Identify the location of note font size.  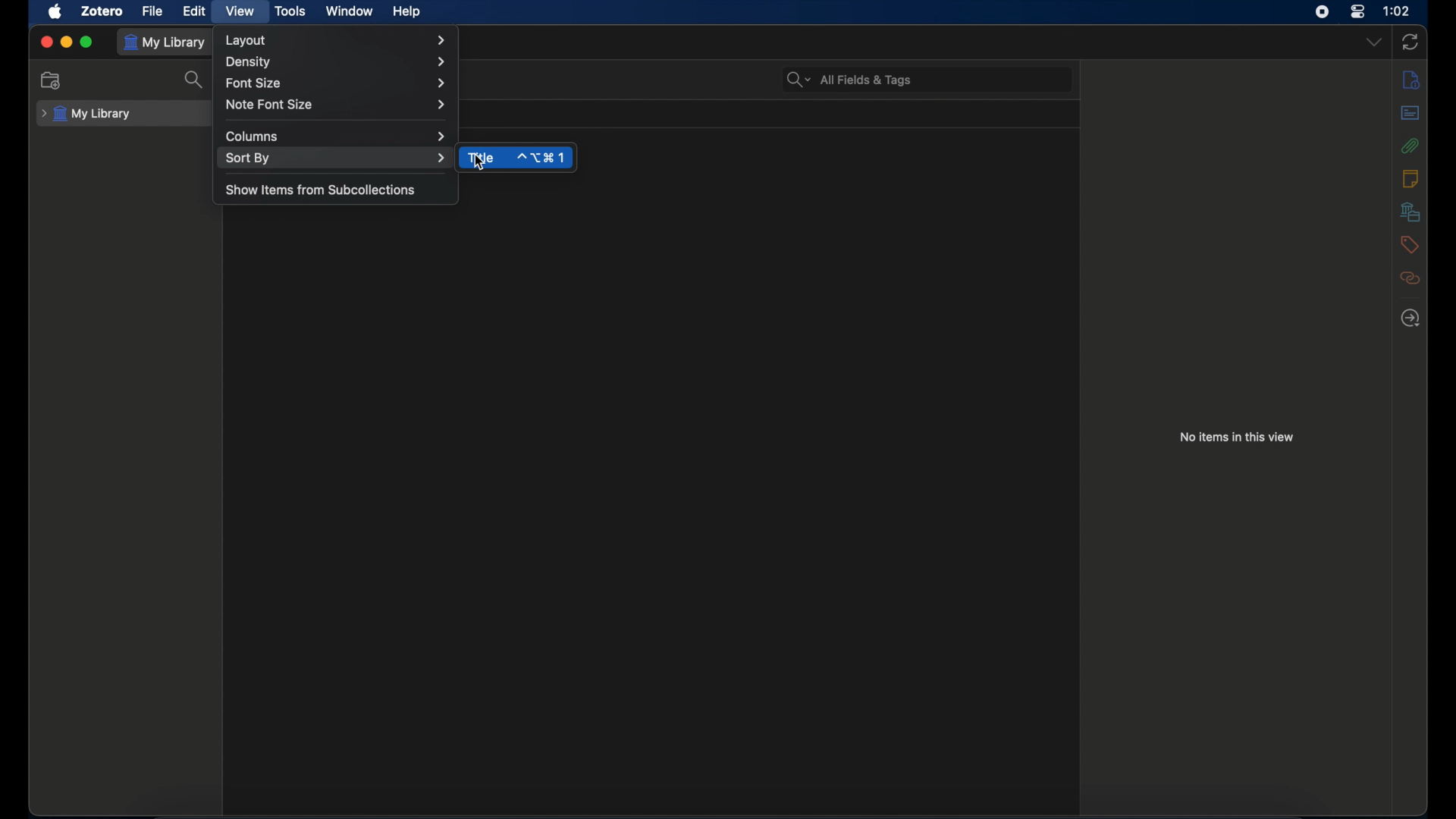
(337, 105).